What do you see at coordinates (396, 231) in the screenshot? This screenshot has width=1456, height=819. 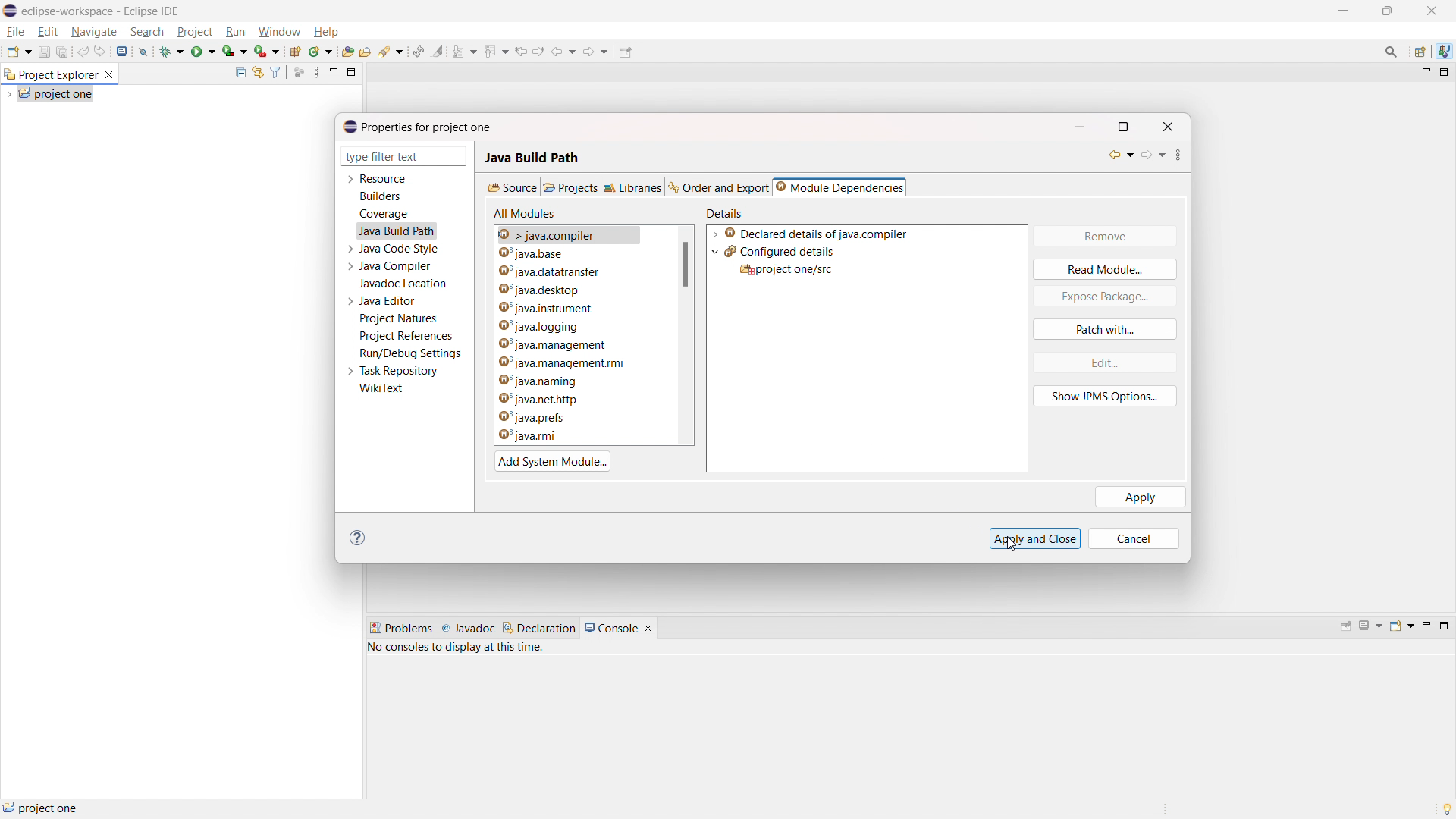 I see `java build path selected` at bounding box center [396, 231].